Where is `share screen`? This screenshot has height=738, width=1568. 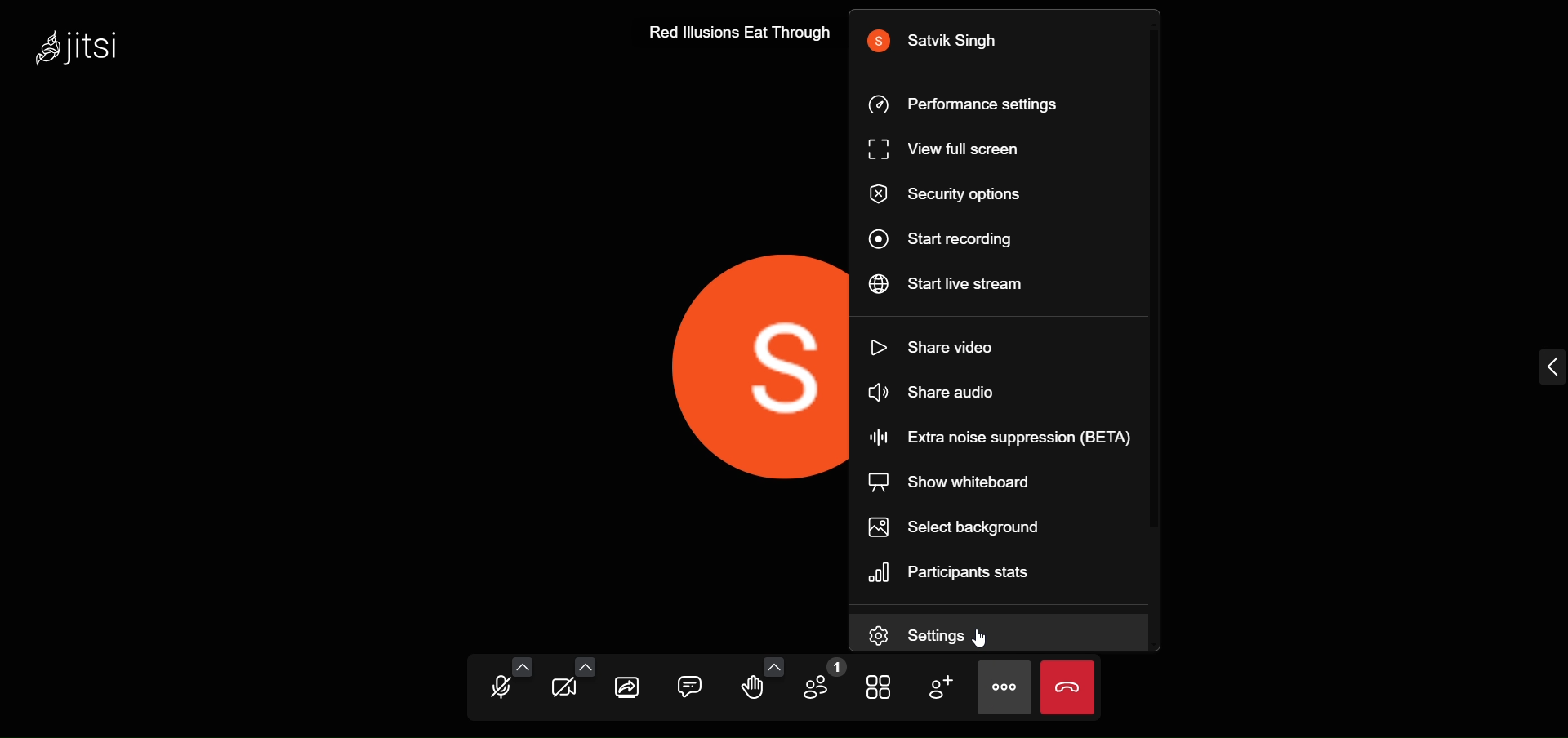 share screen is located at coordinates (627, 687).